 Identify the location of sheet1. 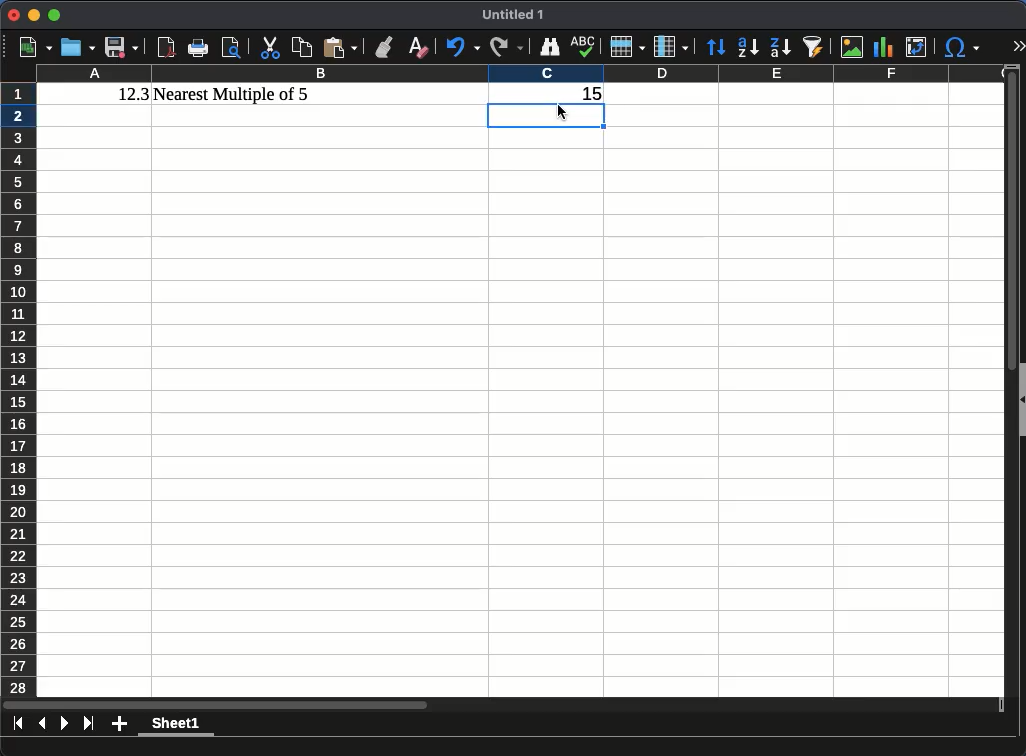
(177, 725).